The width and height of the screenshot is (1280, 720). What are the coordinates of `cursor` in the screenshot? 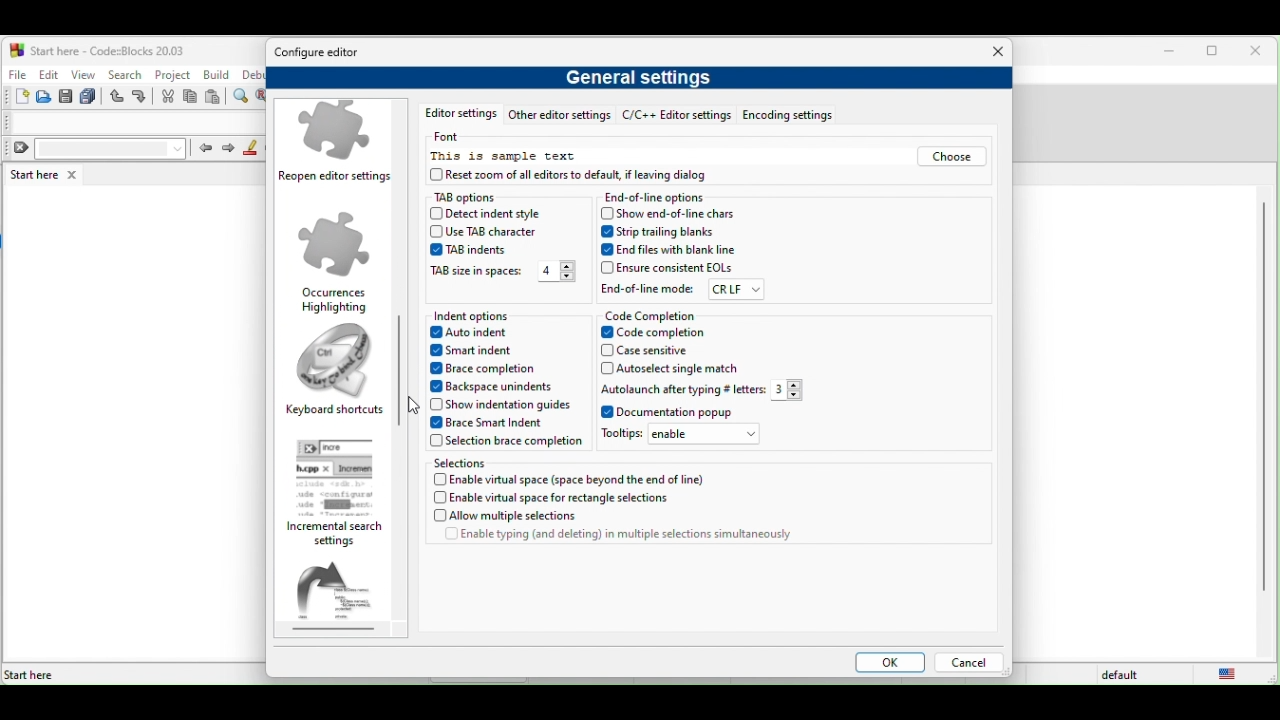 It's located at (420, 405).